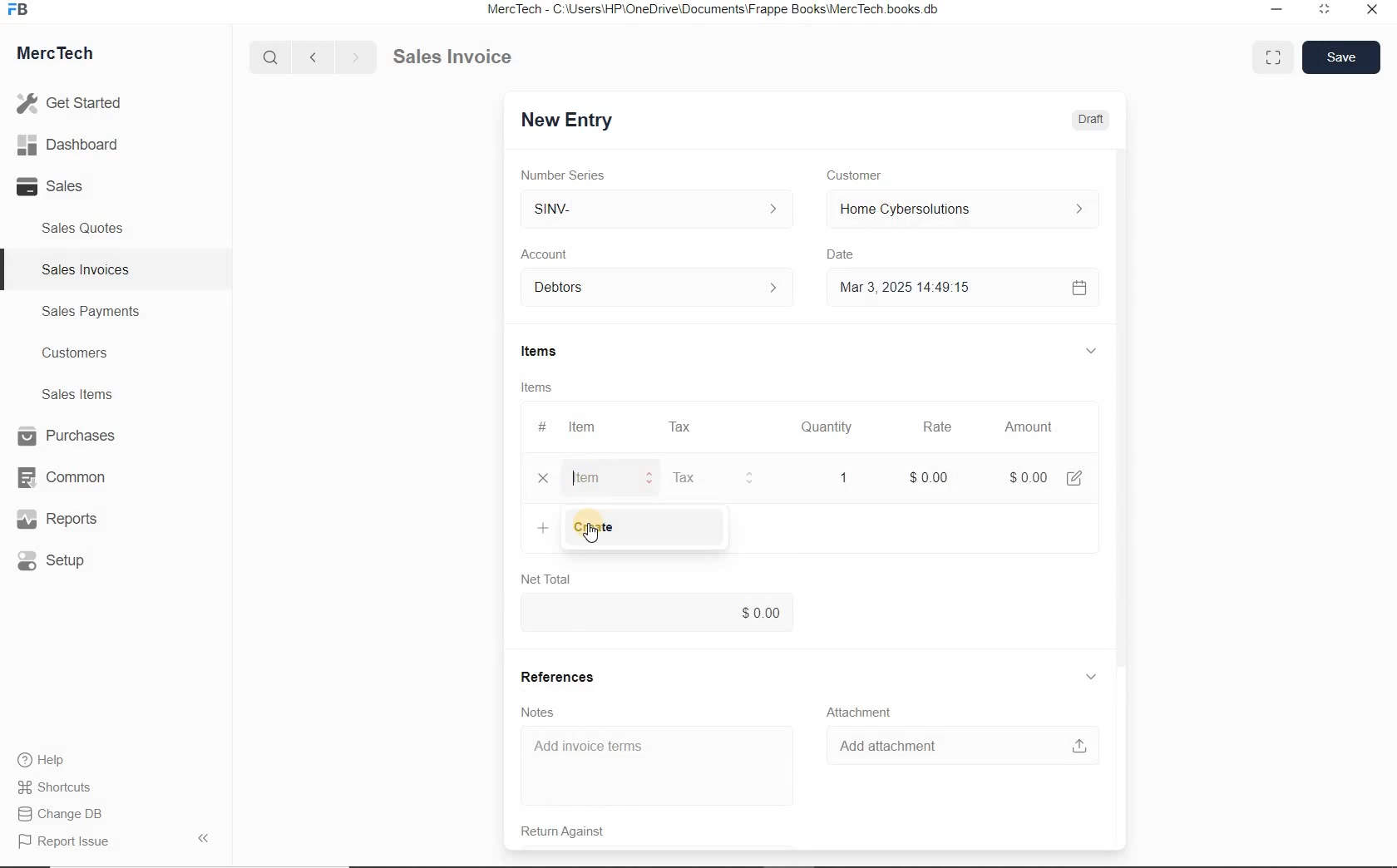 This screenshot has width=1397, height=868. I want to click on Tax, so click(680, 426).